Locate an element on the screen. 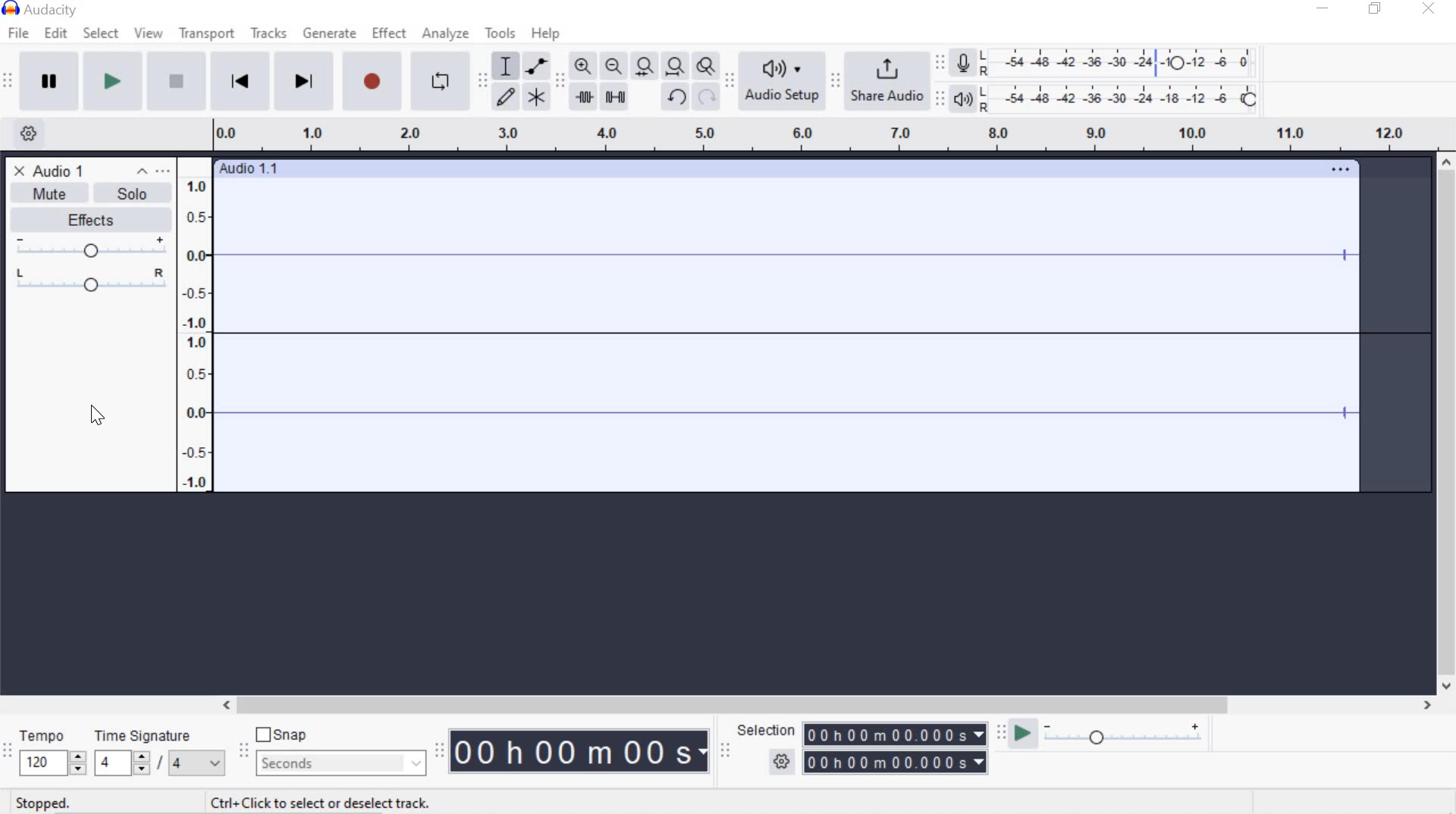  Timeline option is located at coordinates (23, 132).